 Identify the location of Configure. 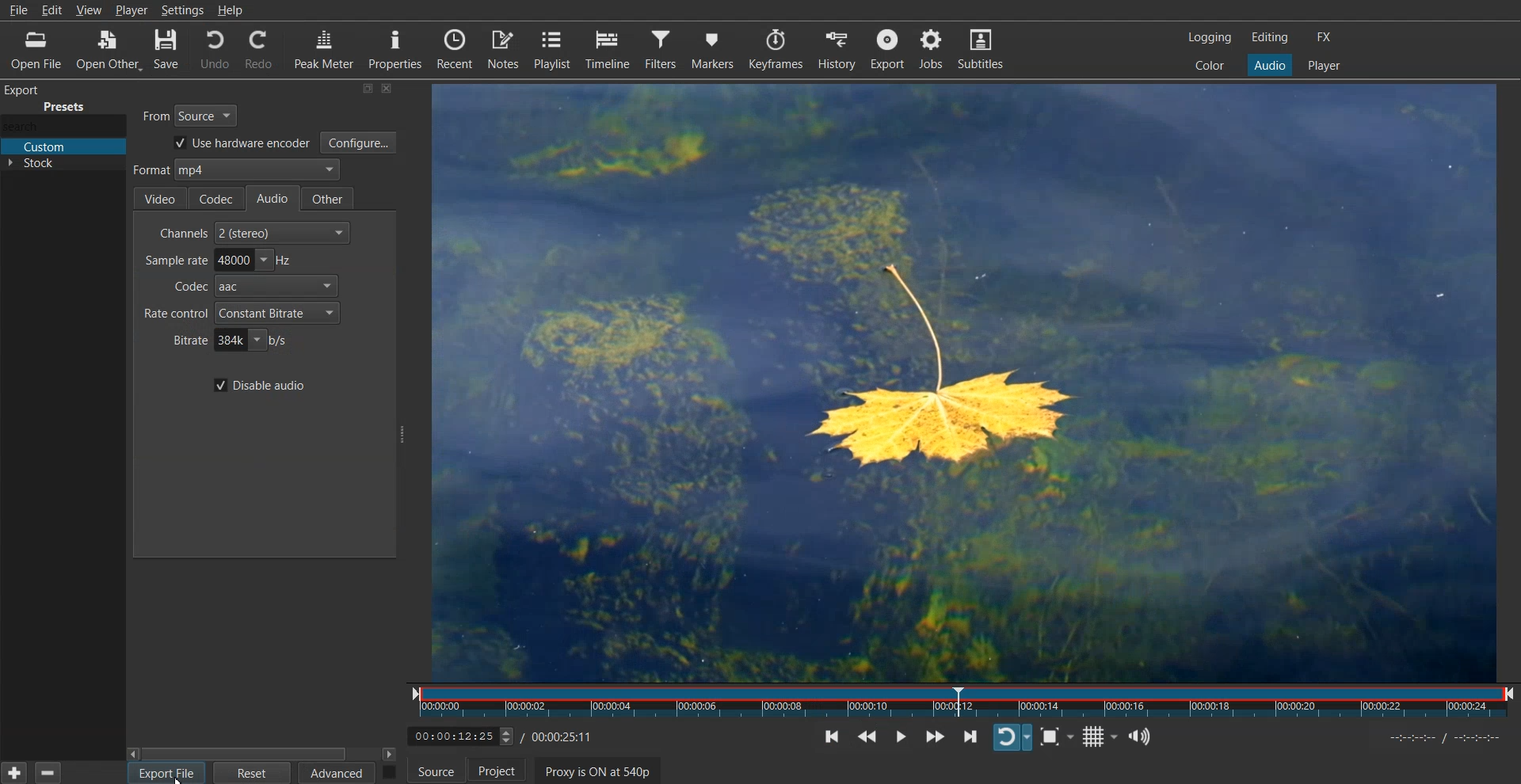
(359, 143).